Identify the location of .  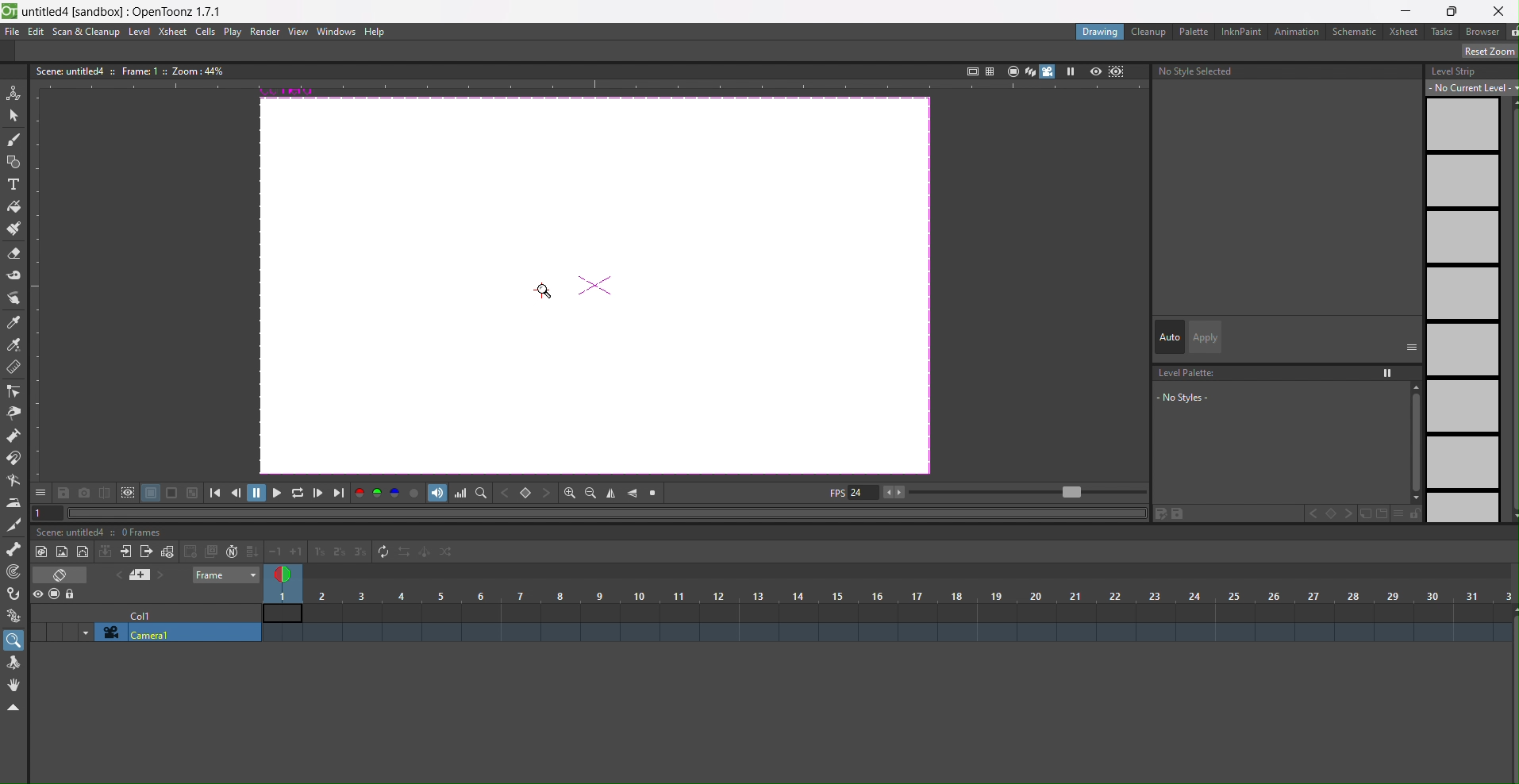
(251, 552).